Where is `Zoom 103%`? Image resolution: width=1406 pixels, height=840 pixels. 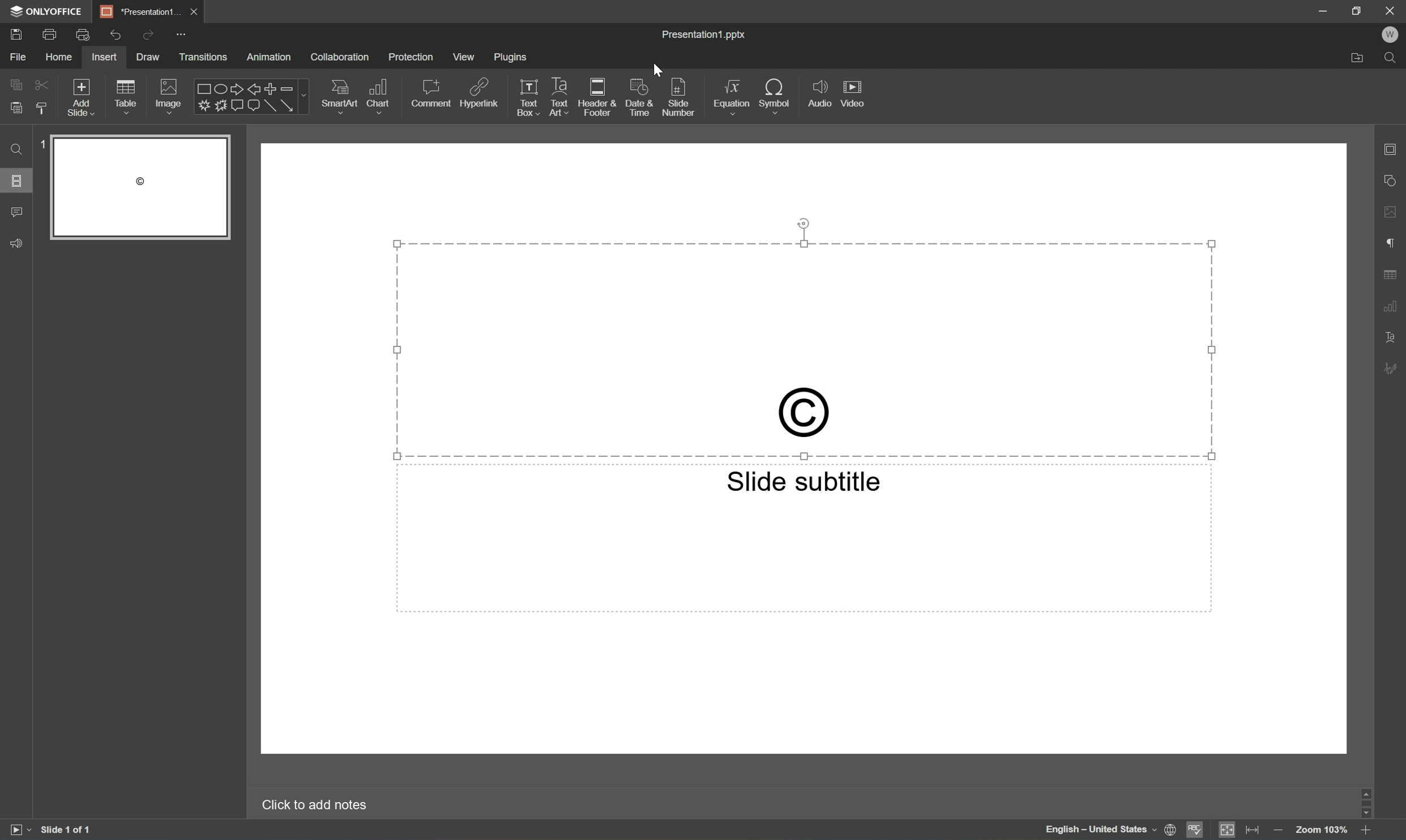 Zoom 103% is located at coordinates (1323, 832).